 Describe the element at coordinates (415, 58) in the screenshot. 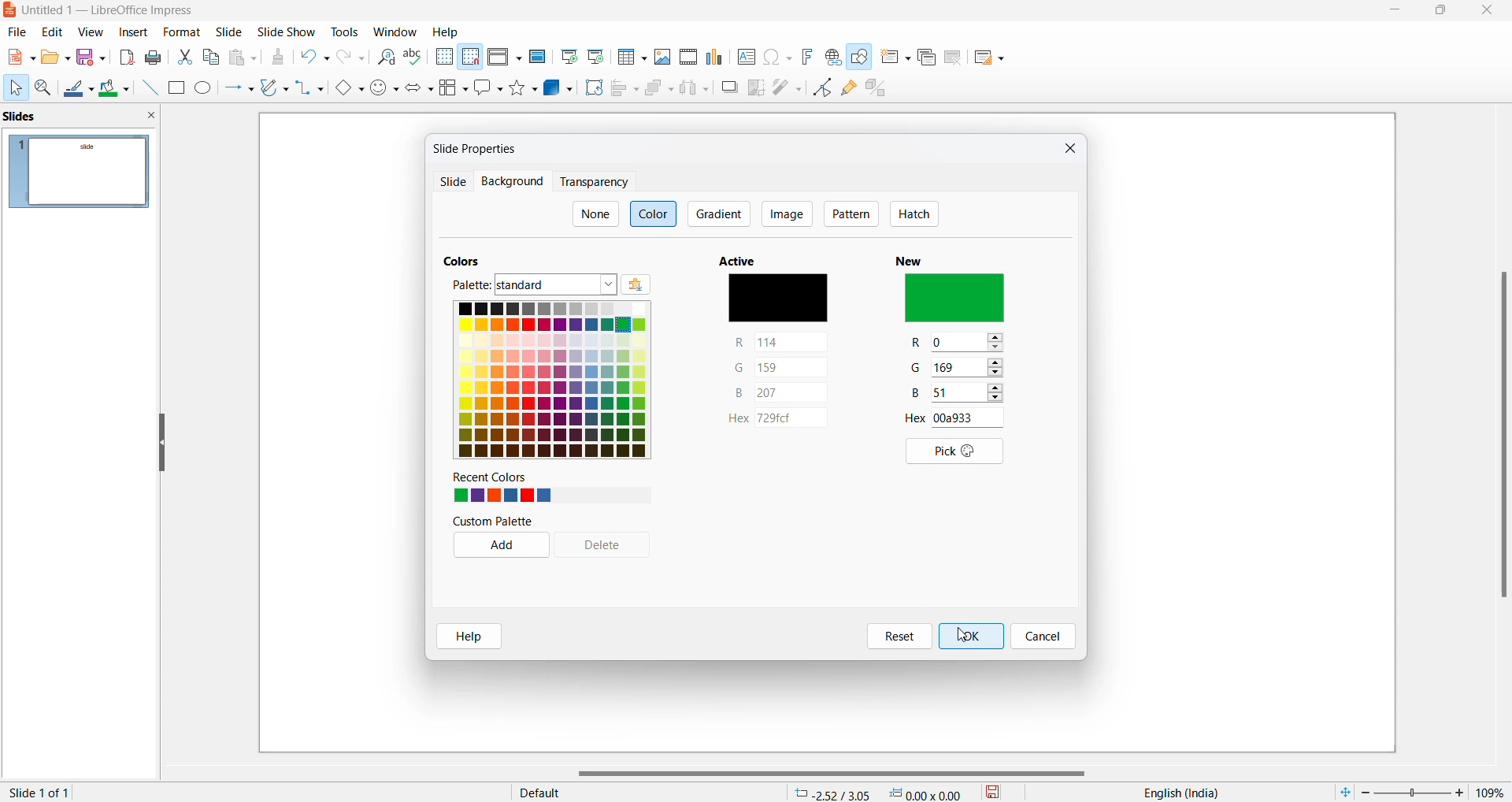

I see `spellings` at that location.